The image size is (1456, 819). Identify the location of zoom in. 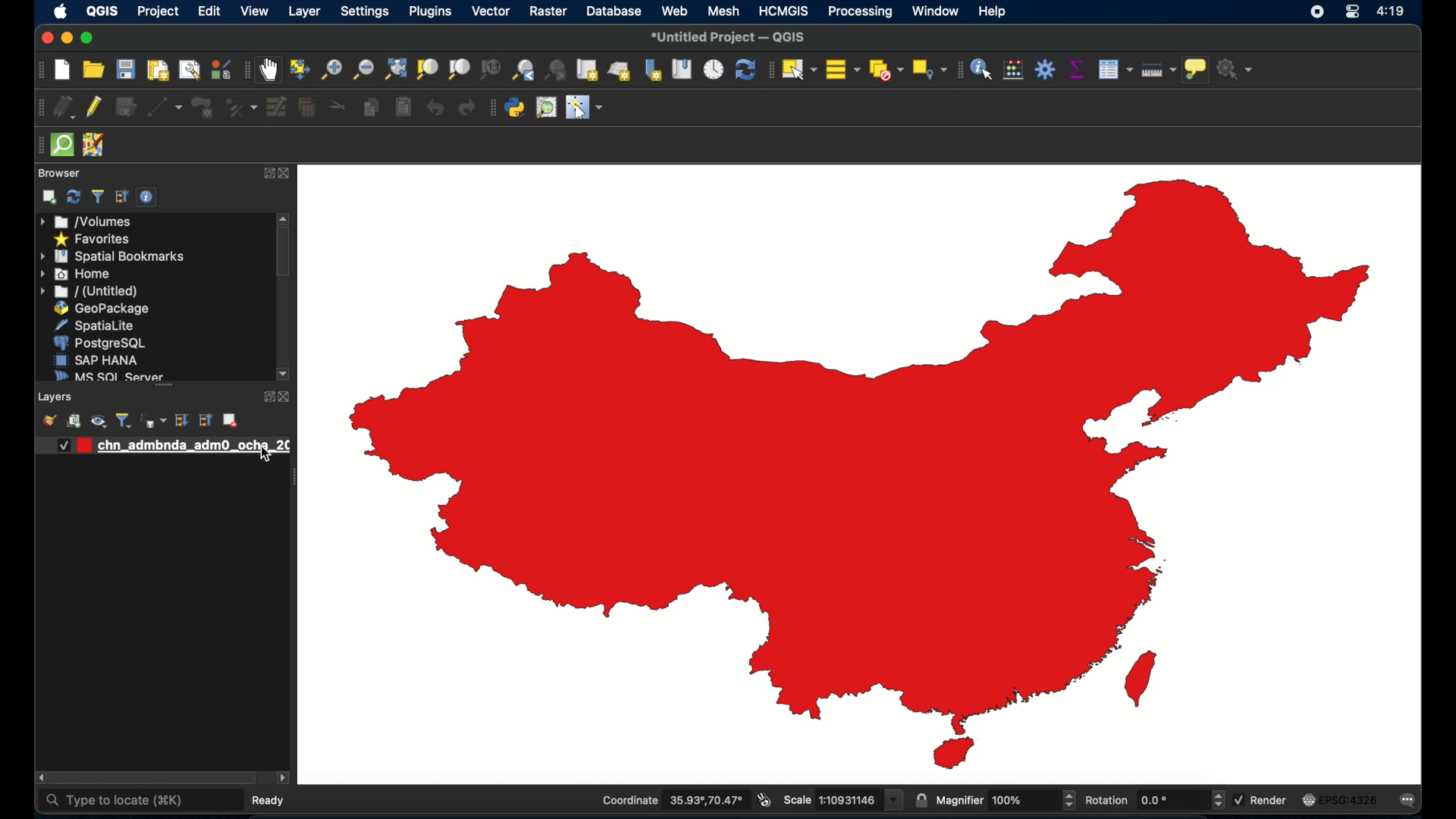
(330, 69).